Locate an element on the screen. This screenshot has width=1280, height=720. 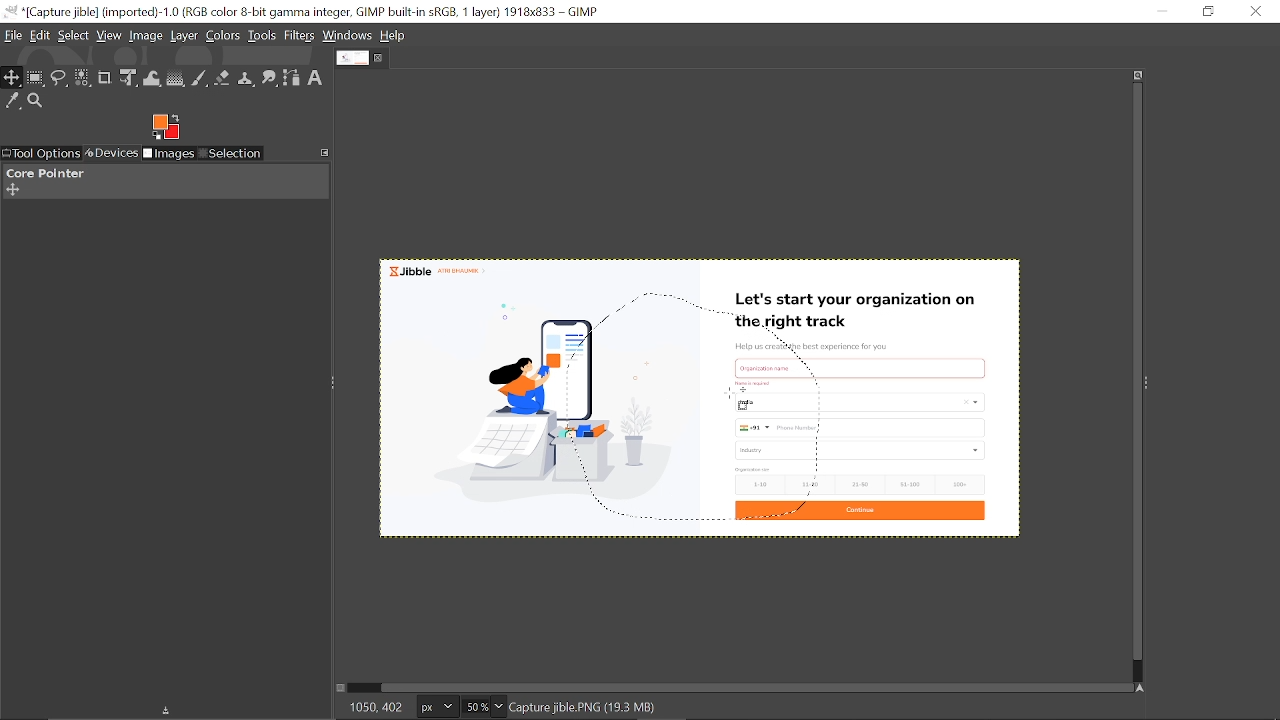
Zoom tool is located at coordinates (36, 101).